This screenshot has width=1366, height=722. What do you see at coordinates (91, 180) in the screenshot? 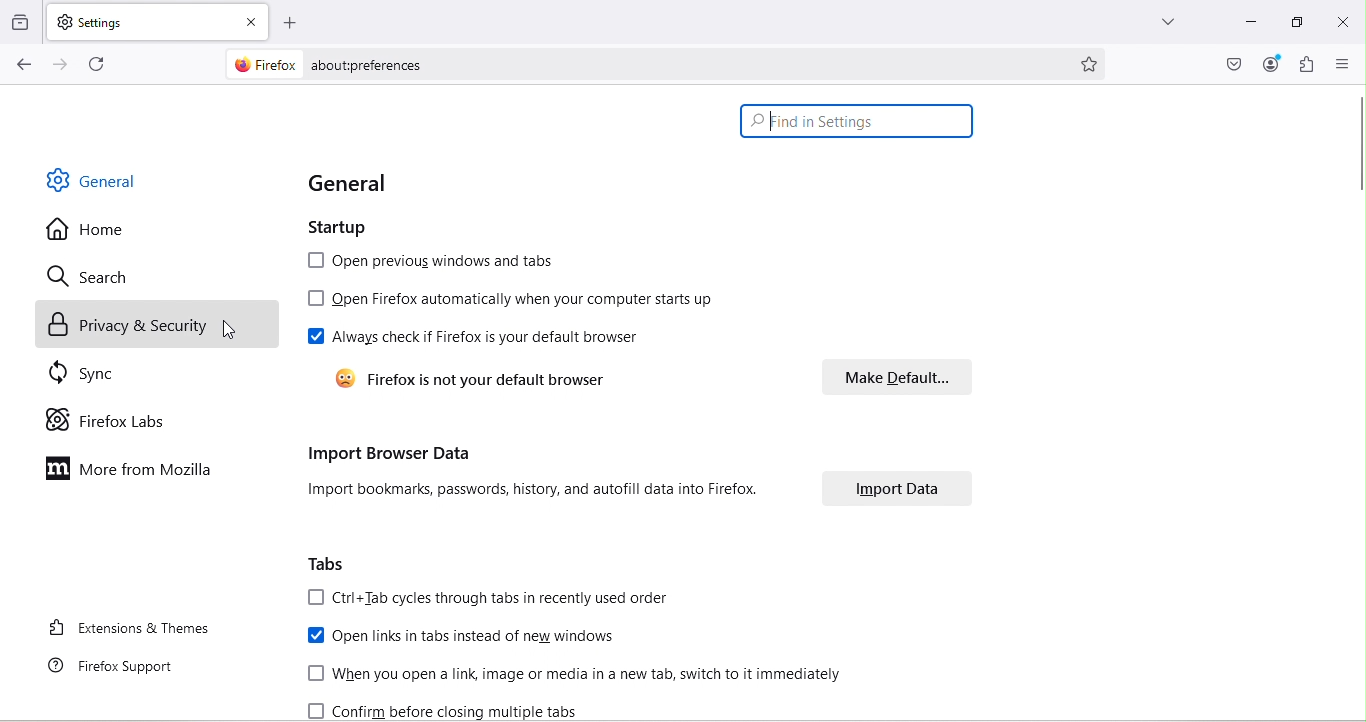
I see `General` at bounding box center [91, 180].